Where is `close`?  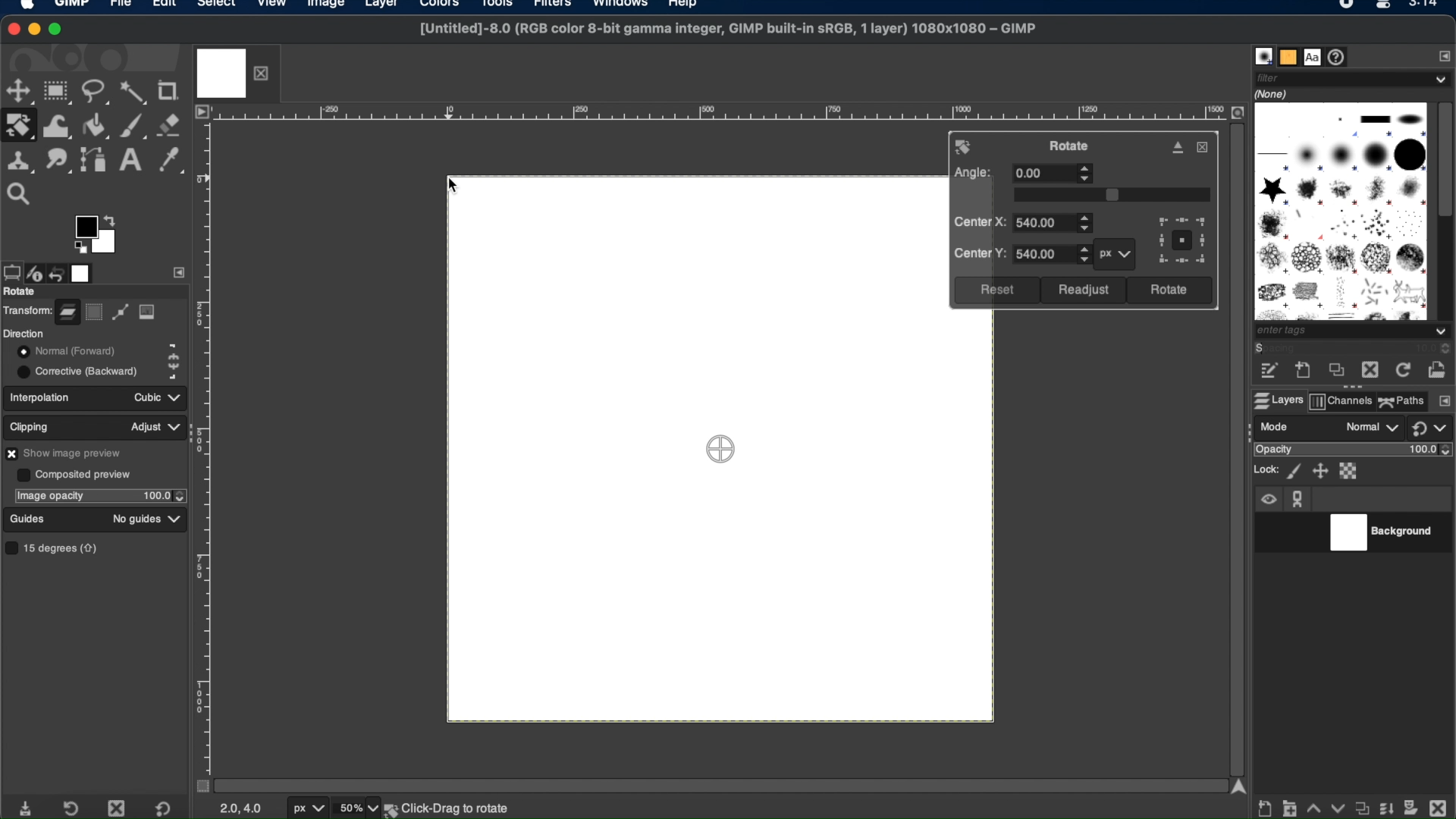
close is located at coordinates (14, 27).